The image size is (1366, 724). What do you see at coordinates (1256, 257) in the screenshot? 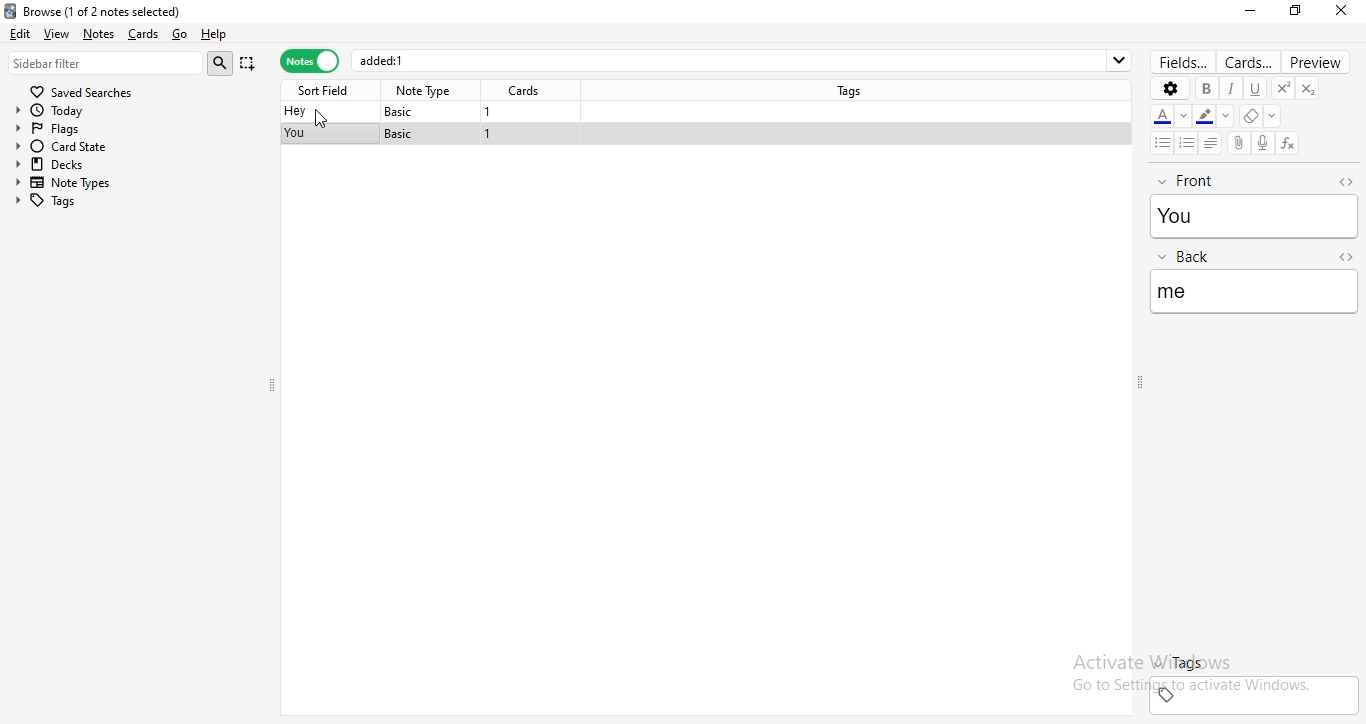
I see `back` at bounding box center [1256, 257].